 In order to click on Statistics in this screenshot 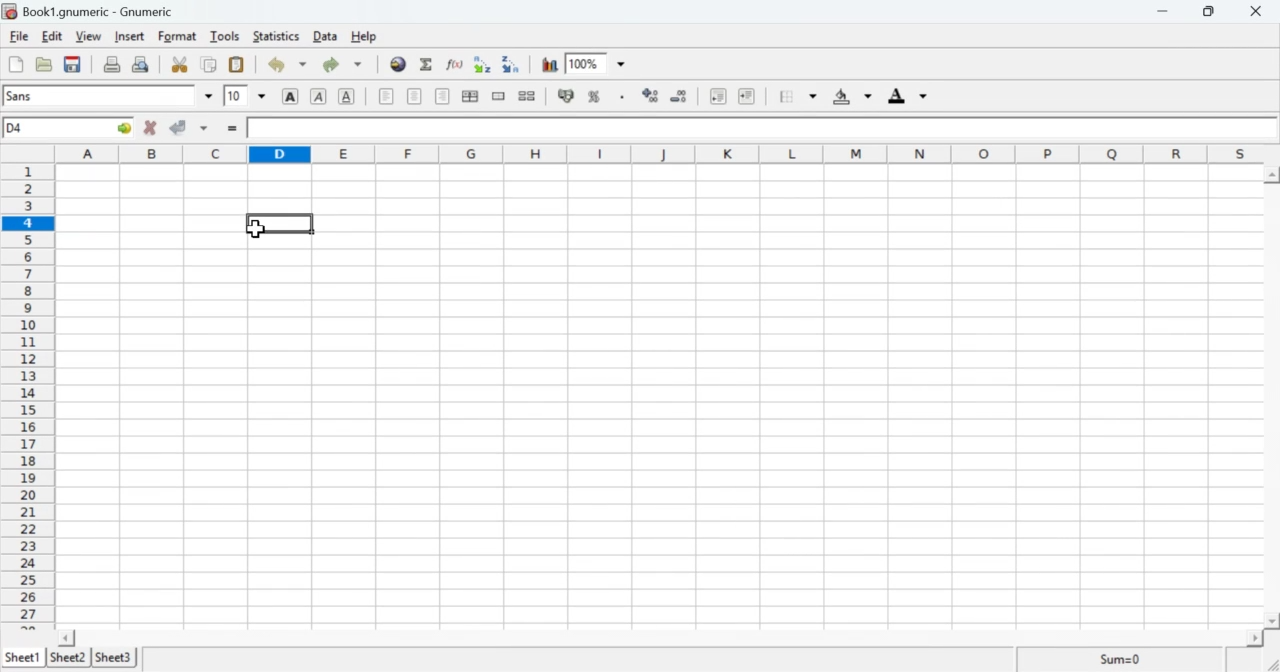, I will do `click(279, 36)`.